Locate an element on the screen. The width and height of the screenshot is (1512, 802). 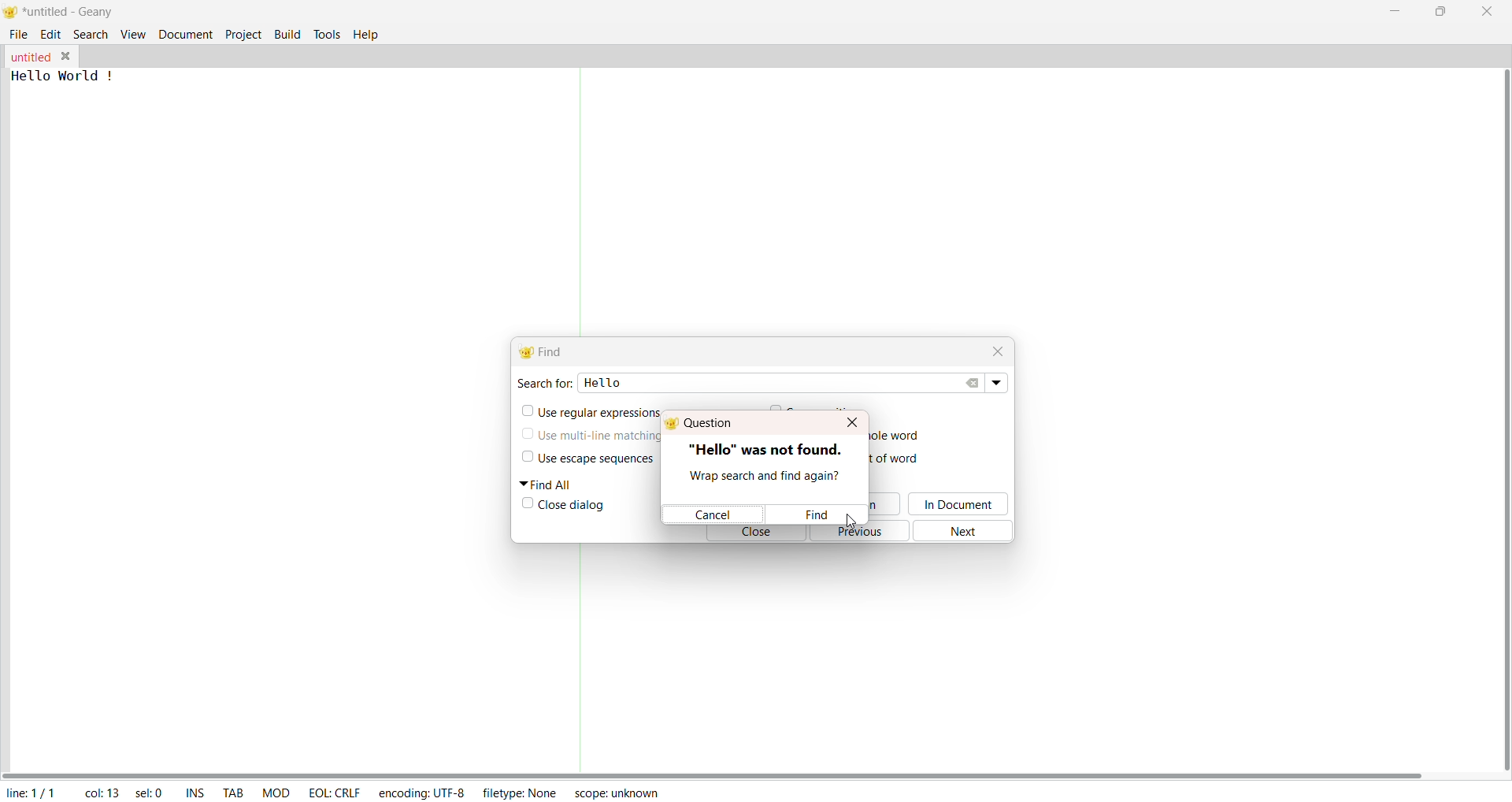
Script Unknown is located at coordinates (617, 795).